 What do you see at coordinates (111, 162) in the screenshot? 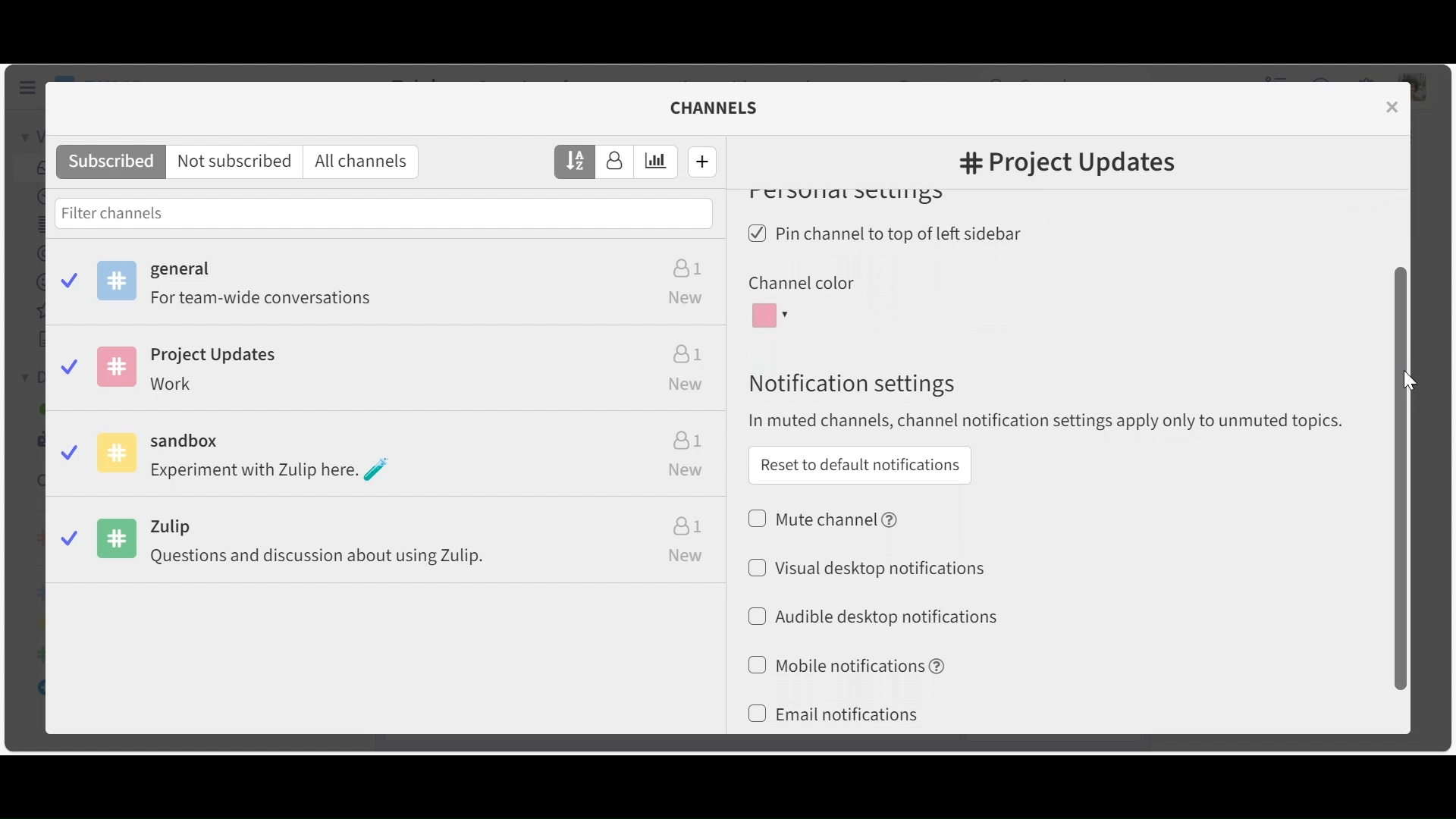
I see `Subscribed channels` at bounding box center [111, 162].